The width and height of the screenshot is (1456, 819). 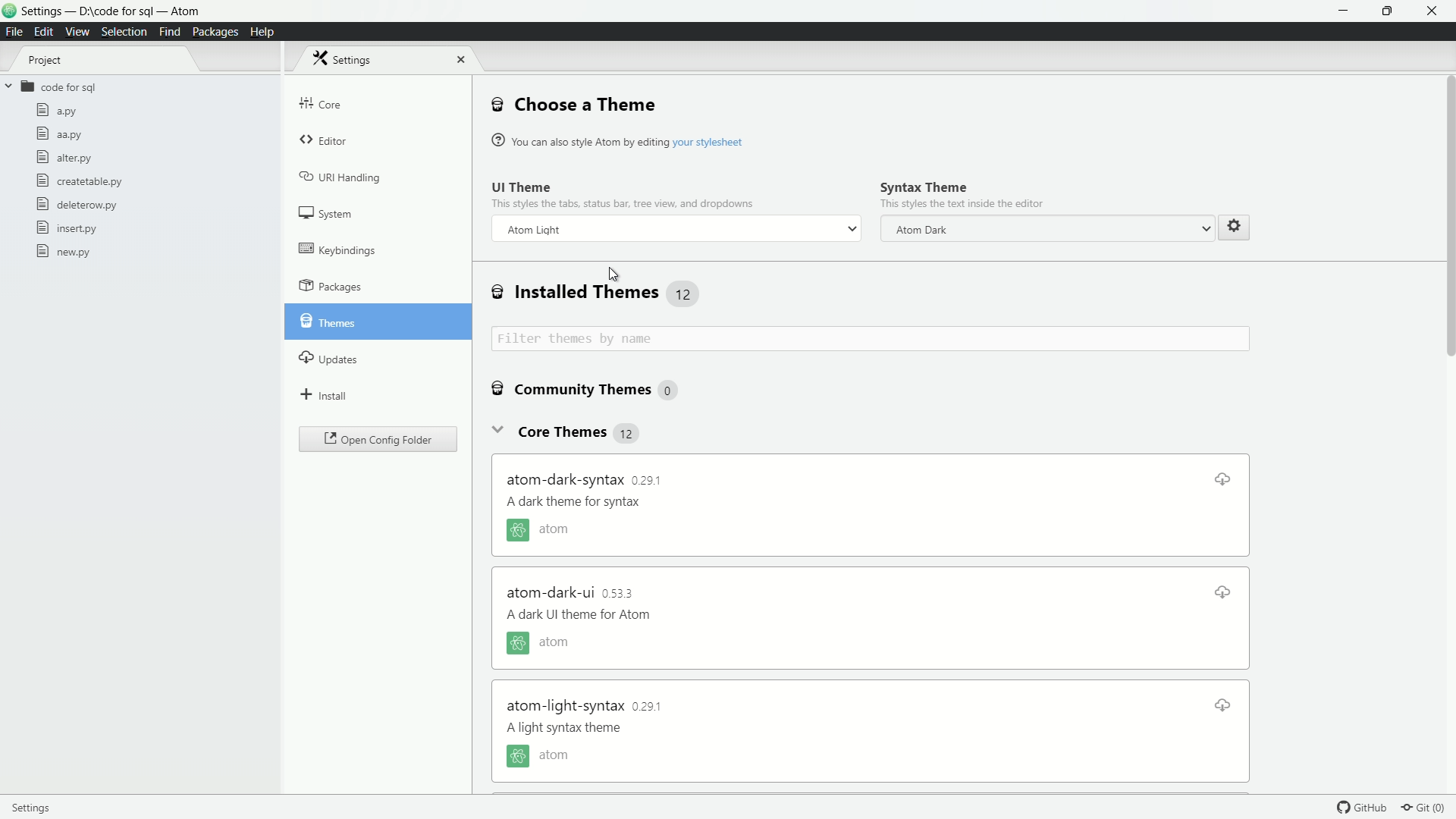 What do you see at coordinates (578, 501) in the screenshot?
I see `a dark theme for syntax` at bounding box center [578, 501].